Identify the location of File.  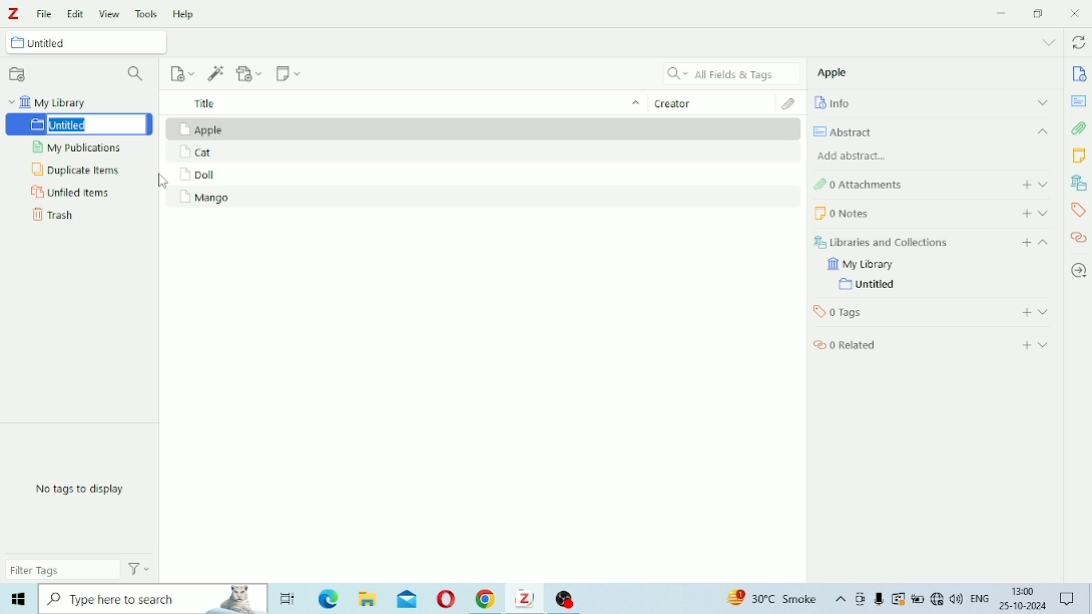
(44, 14).